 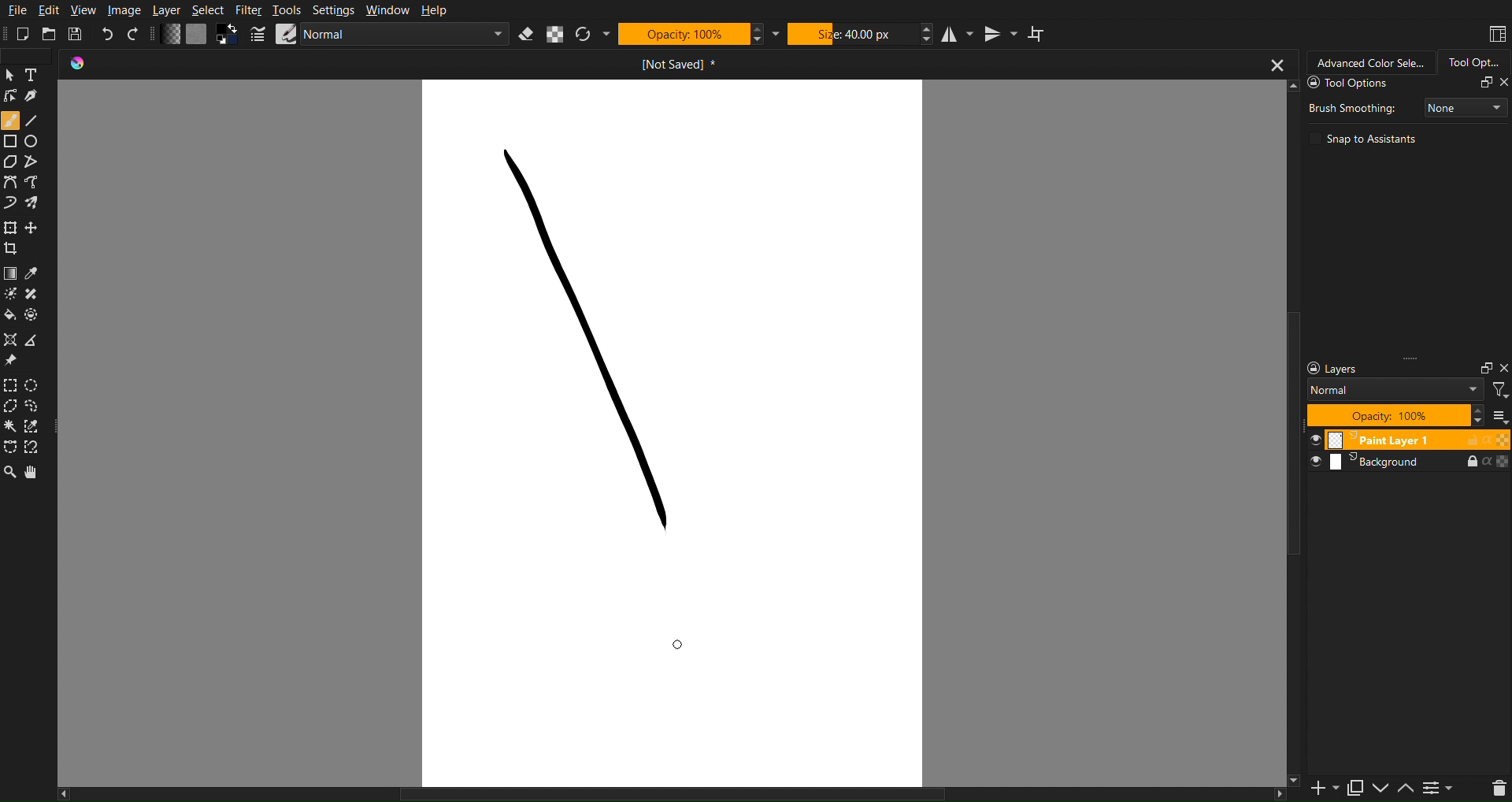 What do you see at coordinates (11, 75) in the screenshot?
I see `Pointer` at bounding box center [11, 75].